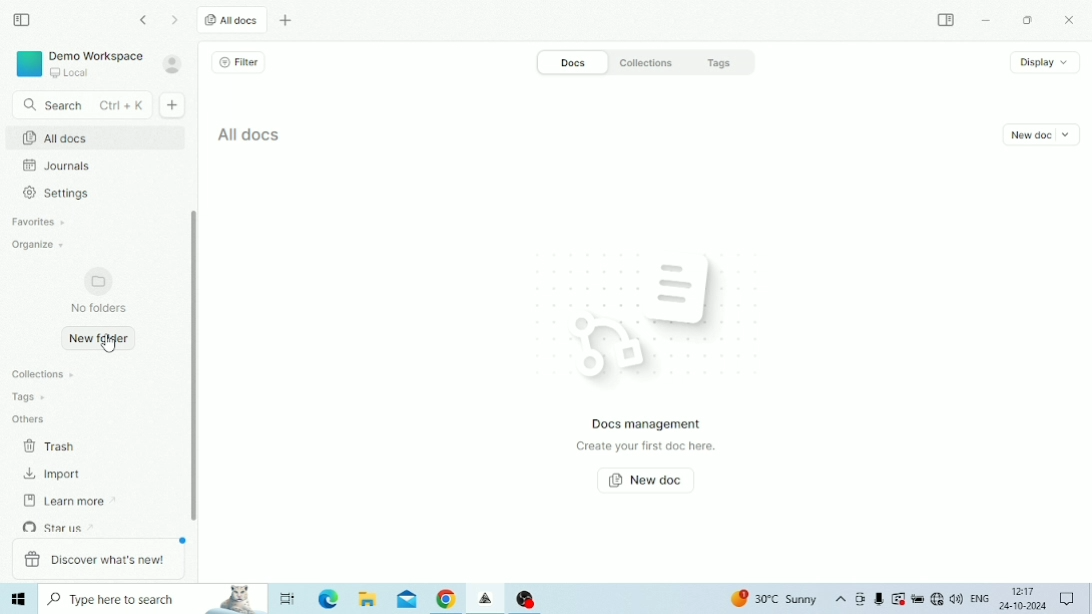 This screenshot has height=614, width=1092. What do you see at coordinates (30, 419) in the screenshot?
I see `Others` at bounding box center [30, 419].